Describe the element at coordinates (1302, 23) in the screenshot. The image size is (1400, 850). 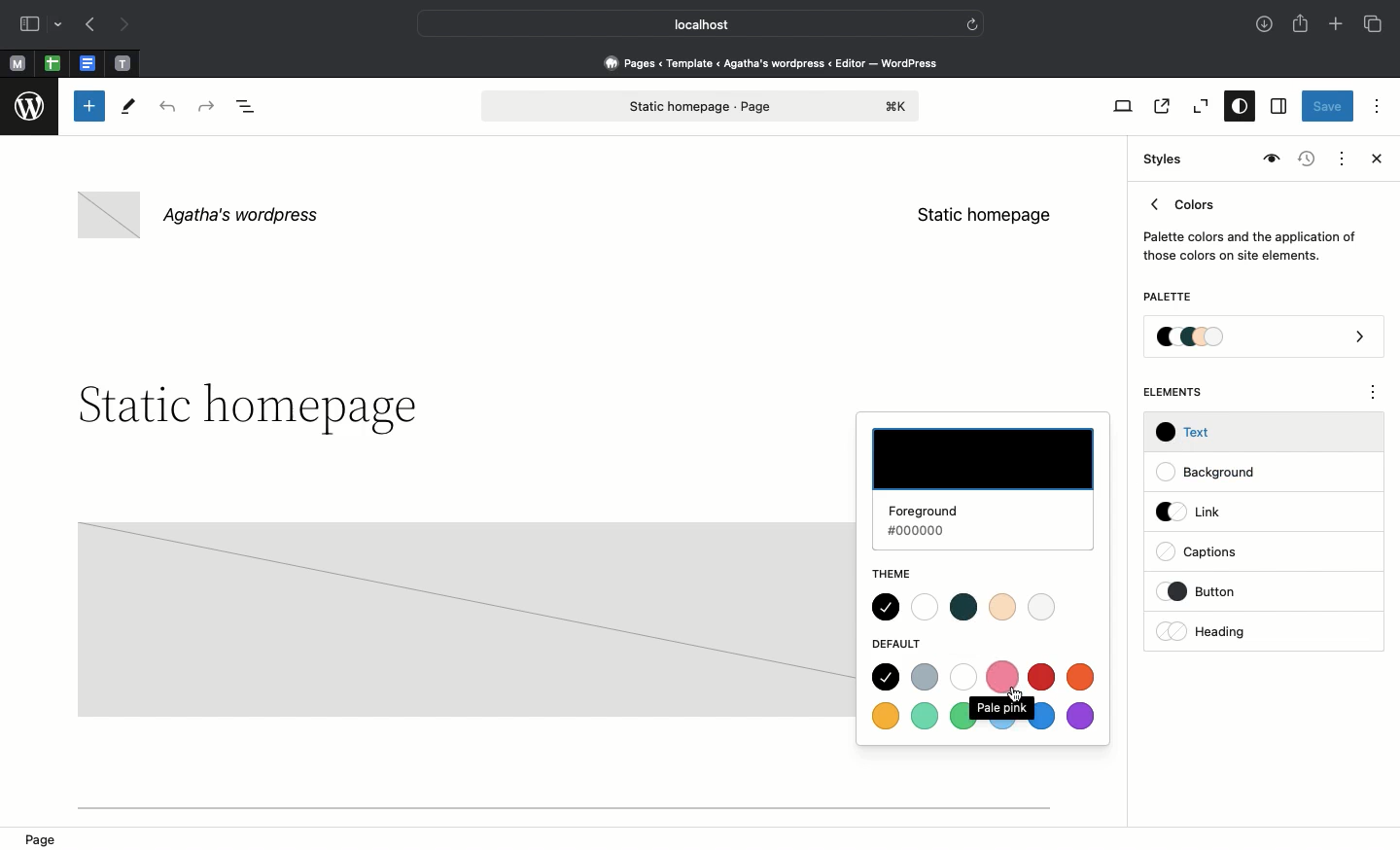
I see `Share` at that location.